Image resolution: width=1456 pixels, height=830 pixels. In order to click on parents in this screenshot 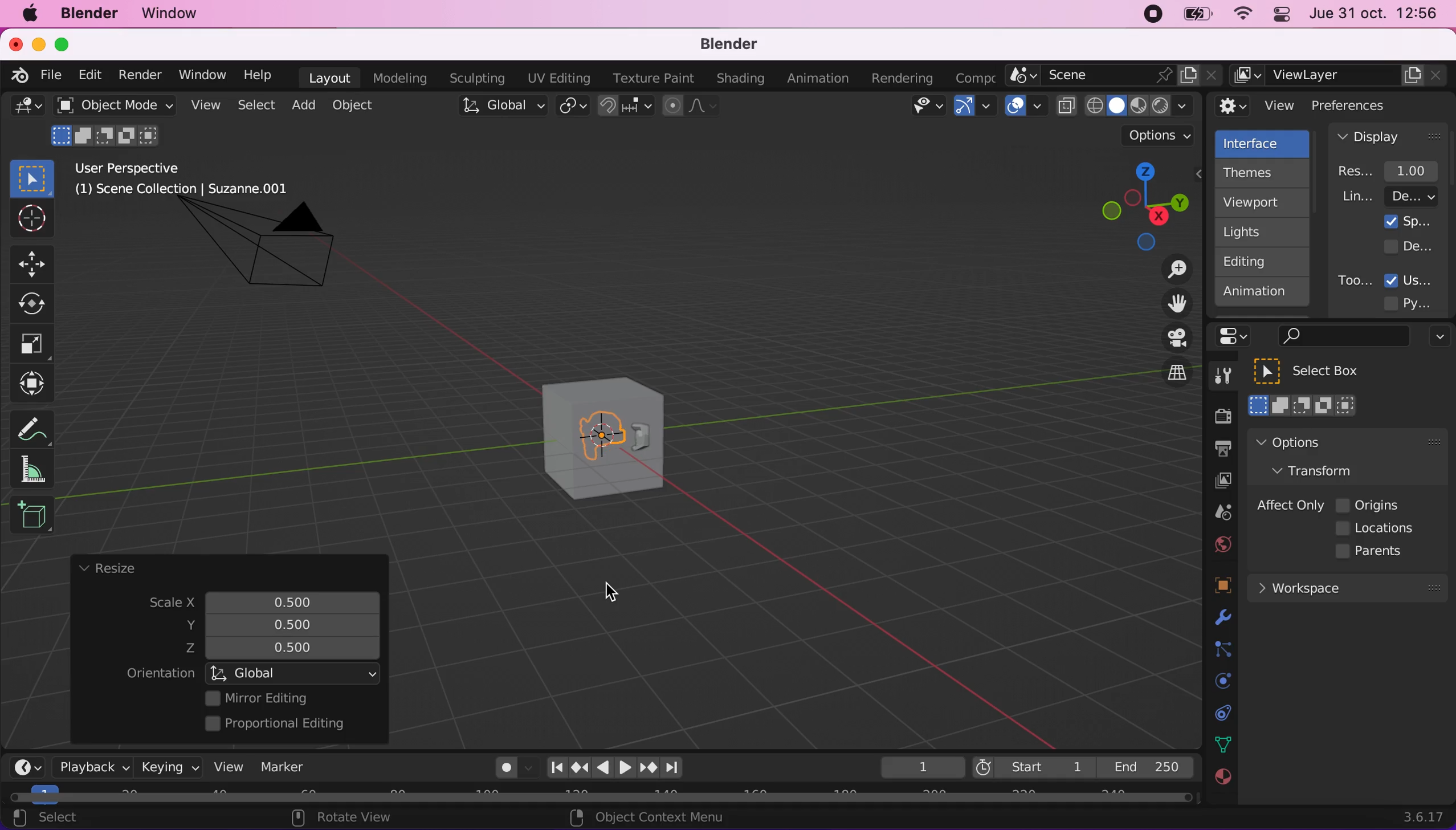, I will do `click(1375, 552)`.